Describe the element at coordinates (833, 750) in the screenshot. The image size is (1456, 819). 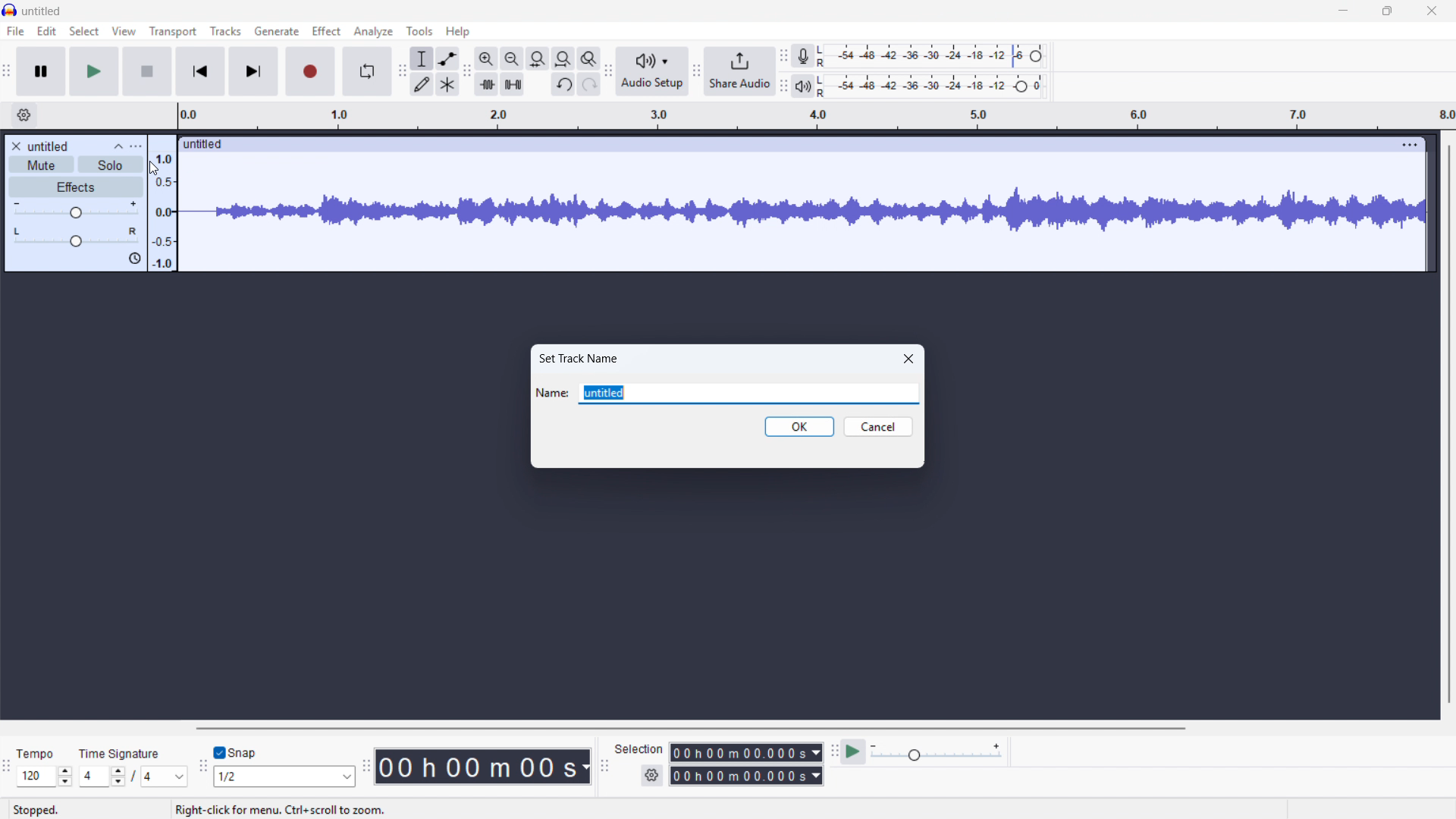
I see `Play at speed toolbar ` at that location.